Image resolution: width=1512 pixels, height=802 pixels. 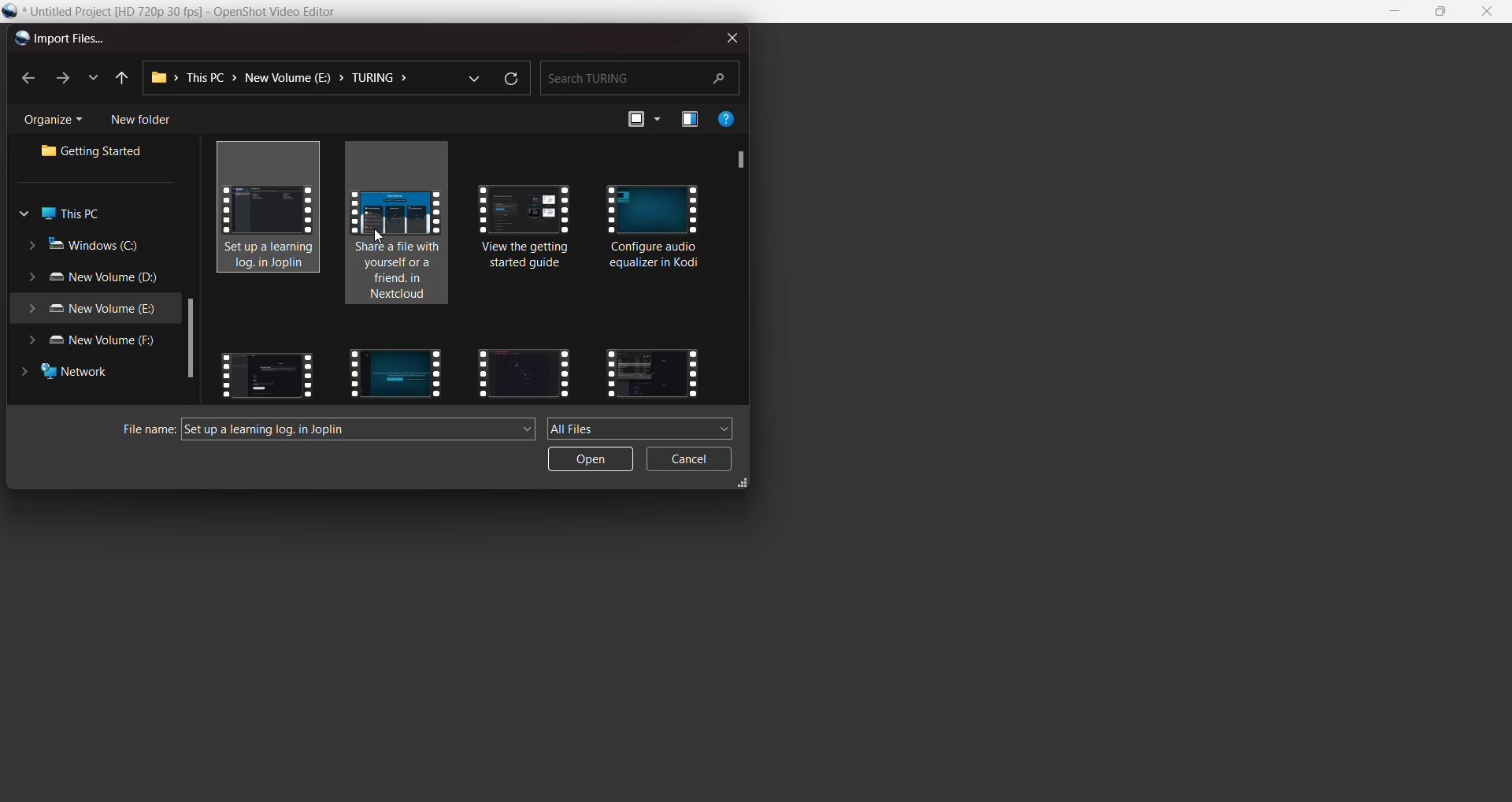 I want to click on minimise, so click(x=1396, y=12).